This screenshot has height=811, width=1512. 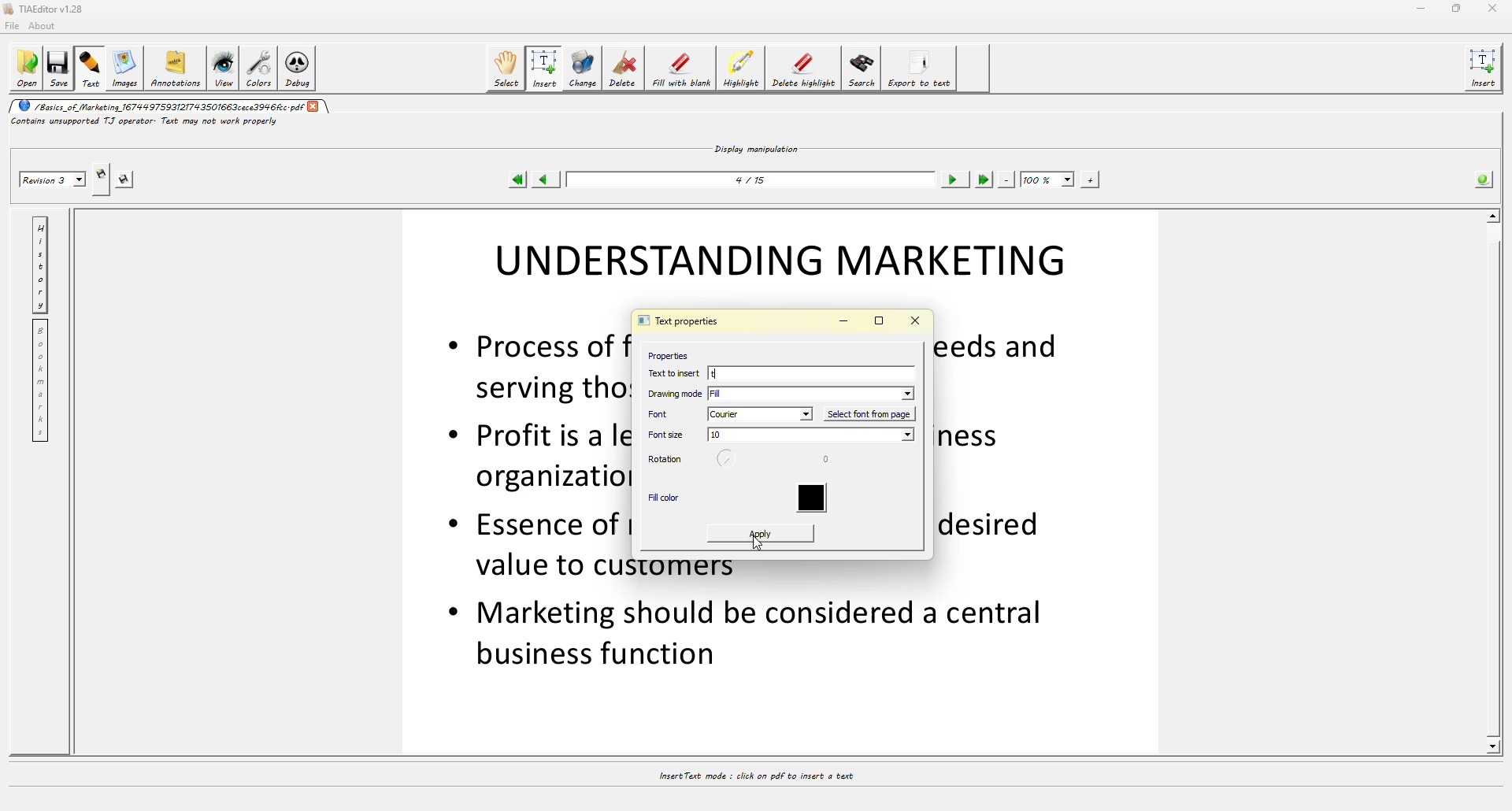 What do you see at coordinates (730, 461) in the screenshot?
I see `rotaion` at bounding box center [730, 461].